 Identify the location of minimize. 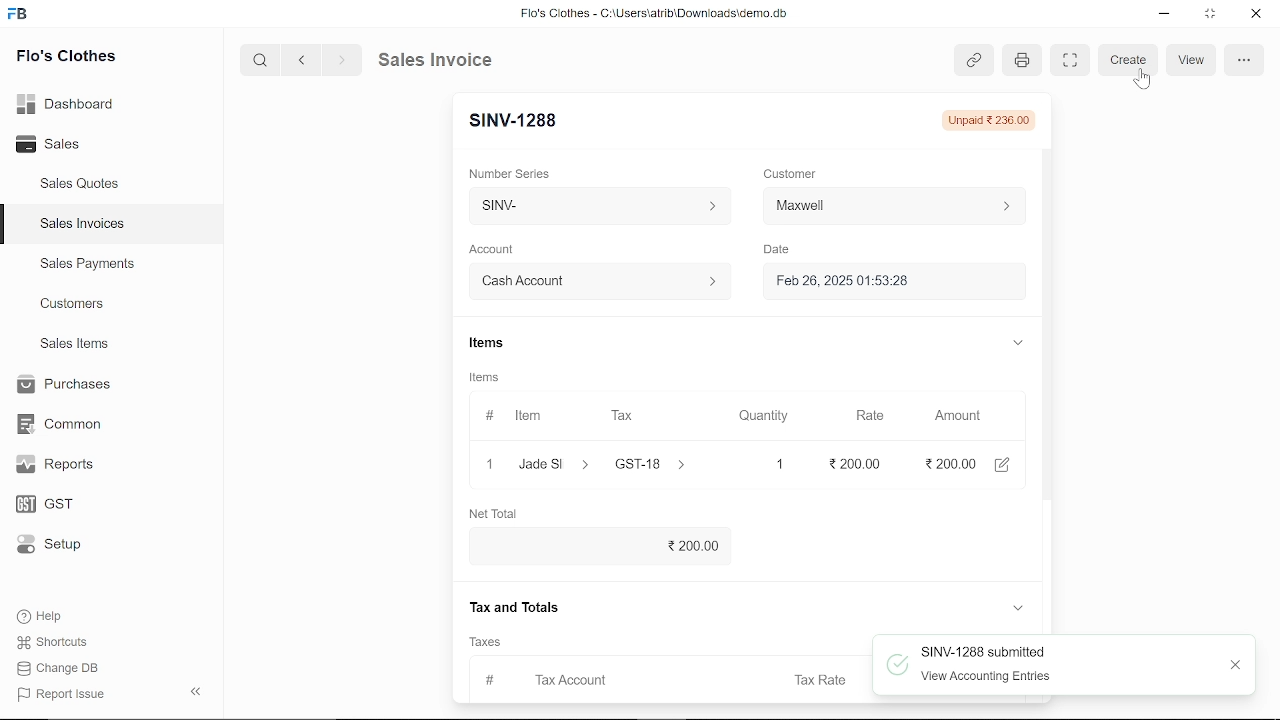
(1166, 16).